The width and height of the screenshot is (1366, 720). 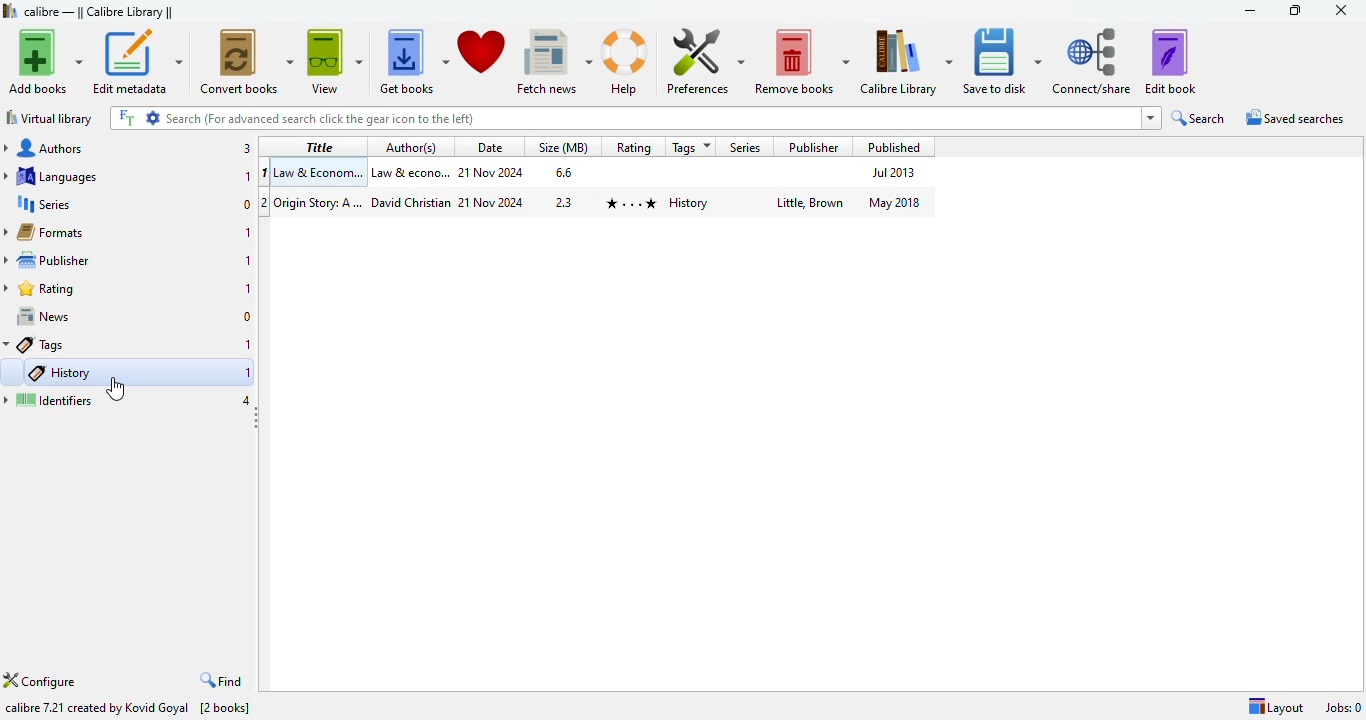 I want to click on title, so click(x=320, y=147).